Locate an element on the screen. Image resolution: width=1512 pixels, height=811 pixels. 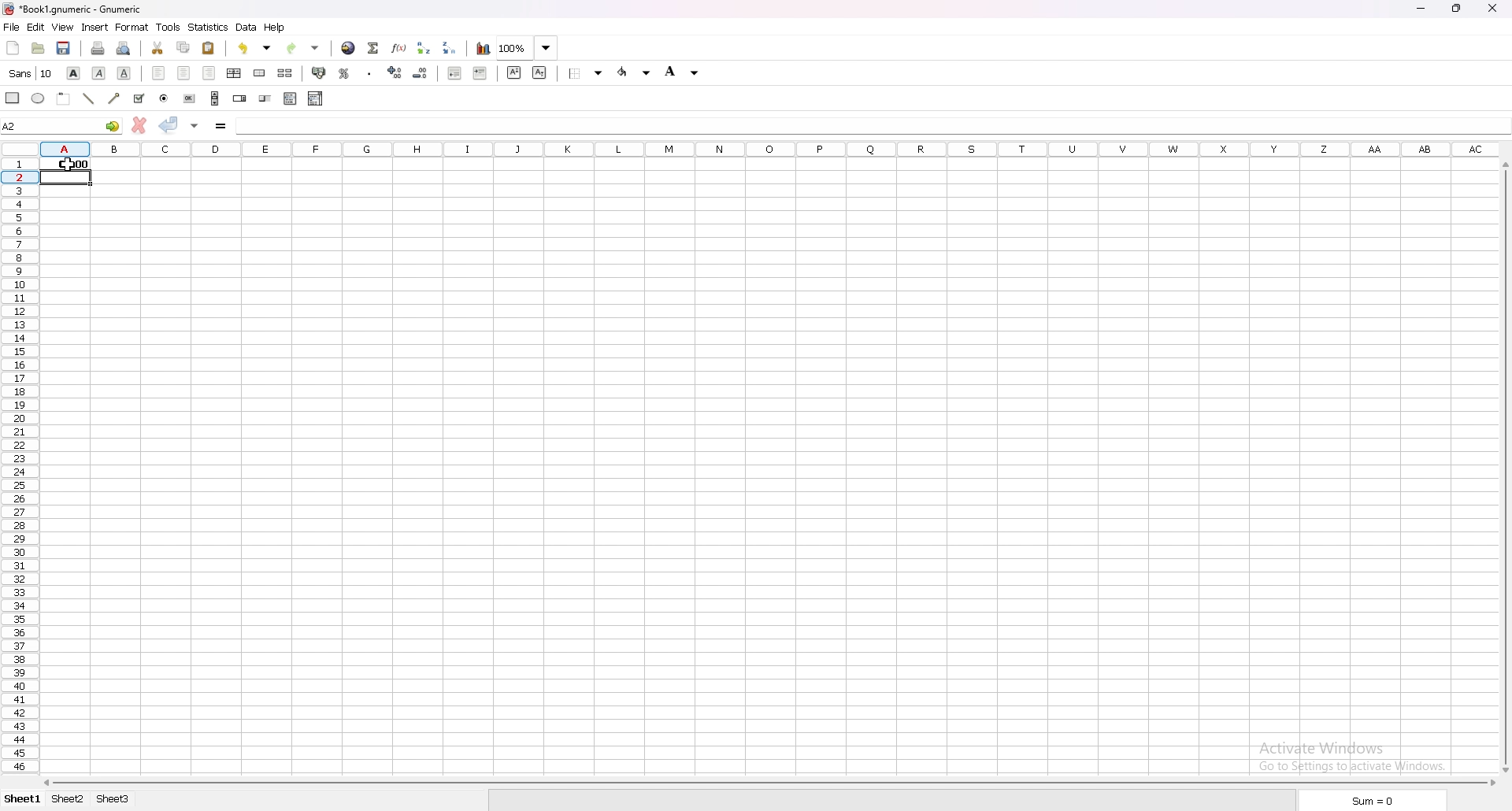
thousand separator is located at coordinates (369, 73).